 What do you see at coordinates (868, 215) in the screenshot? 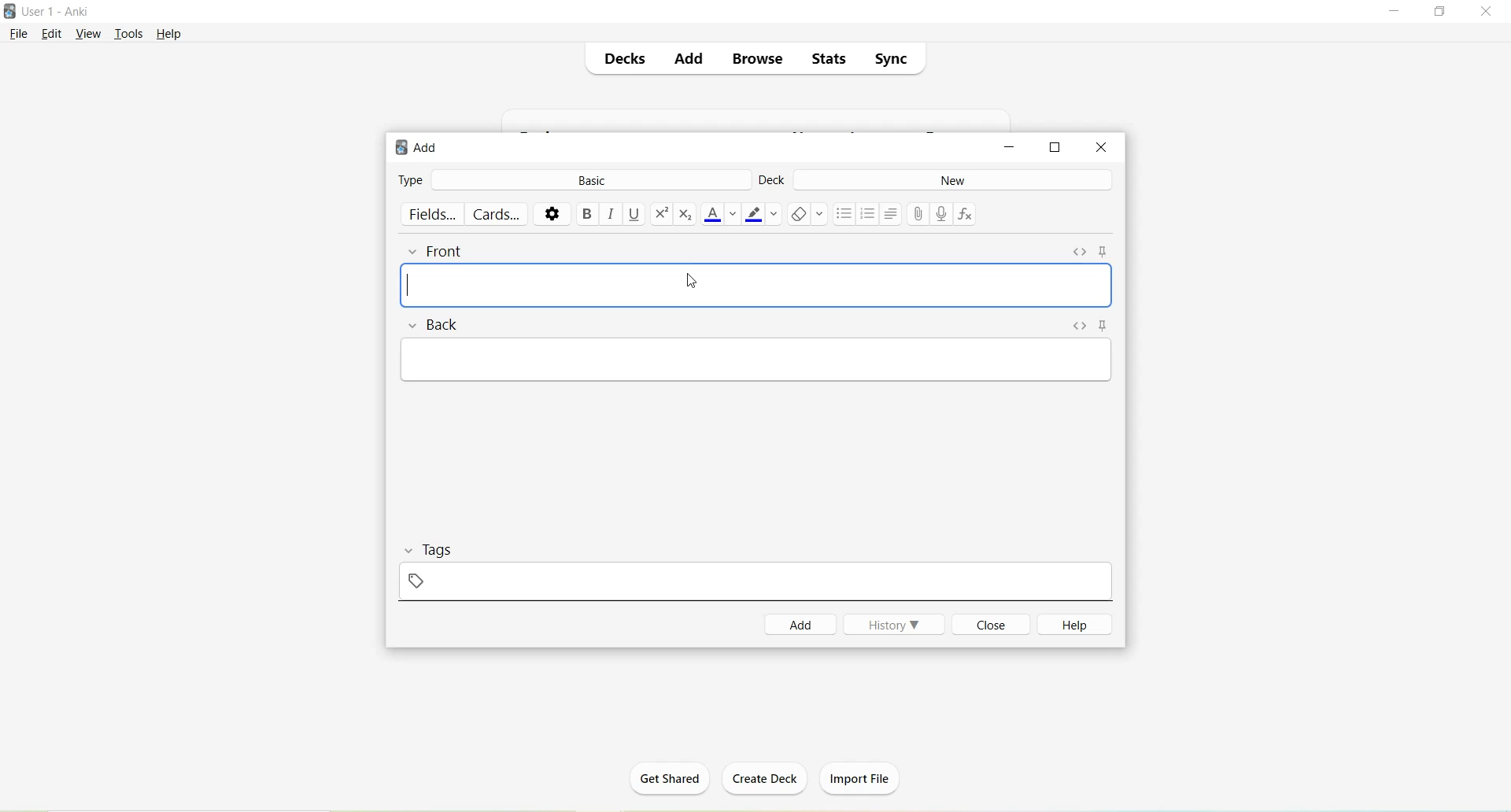
I see `Ordered list` at bounding box center [868, 215].